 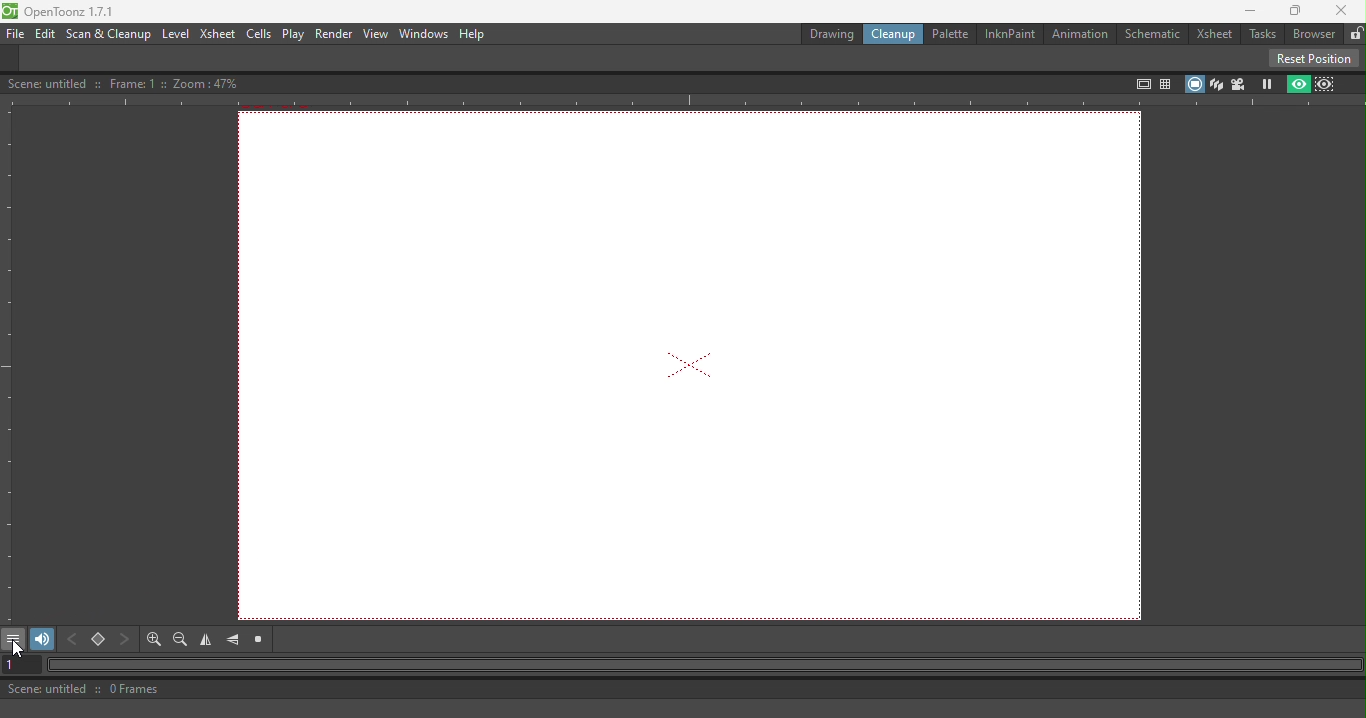 What do you see at coordinates (1261, 35) in the screenshot?
I see `Tasks` at bounding box center [1261, 35].